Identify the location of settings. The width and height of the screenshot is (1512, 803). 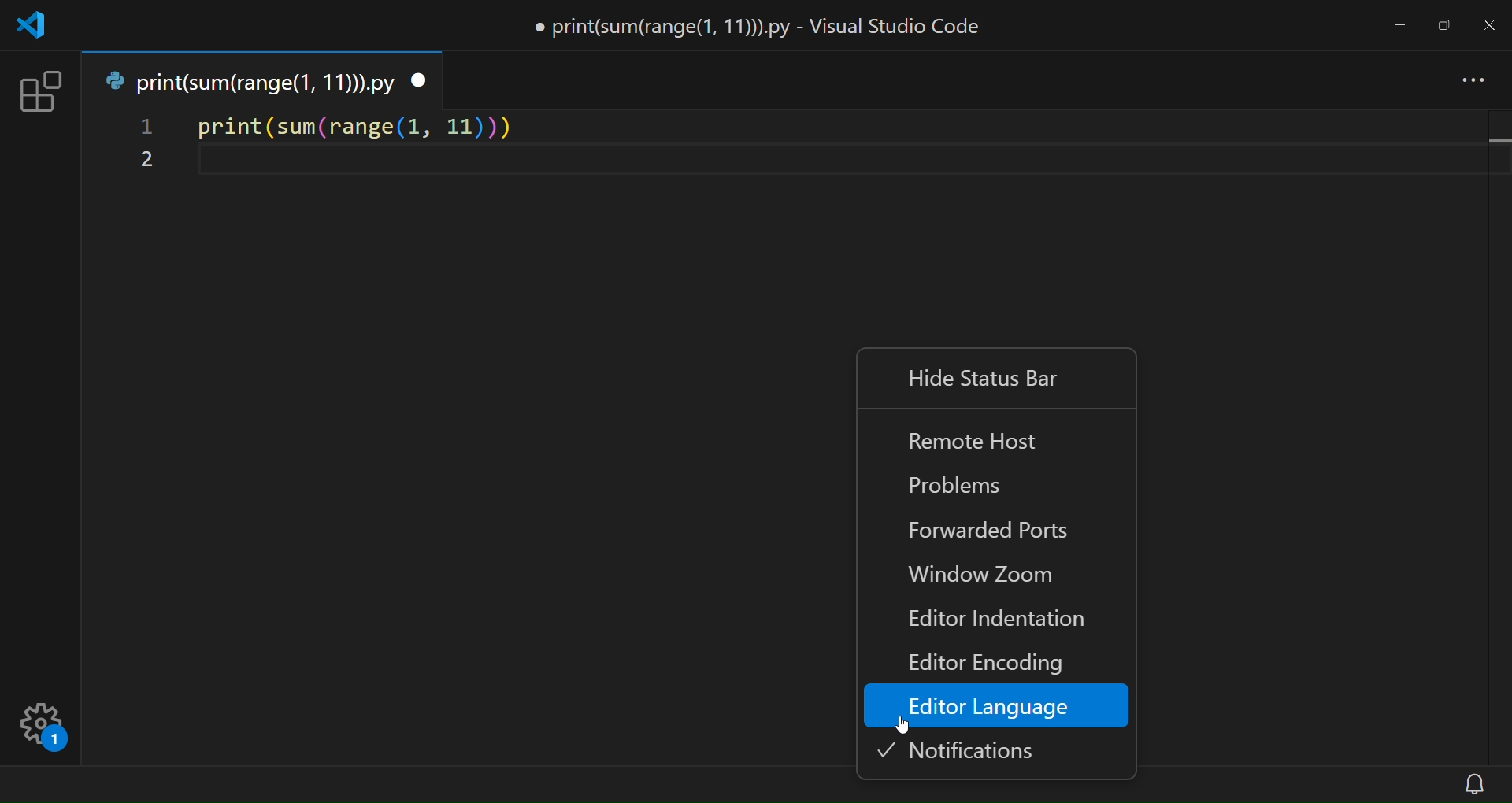
(56, 722).